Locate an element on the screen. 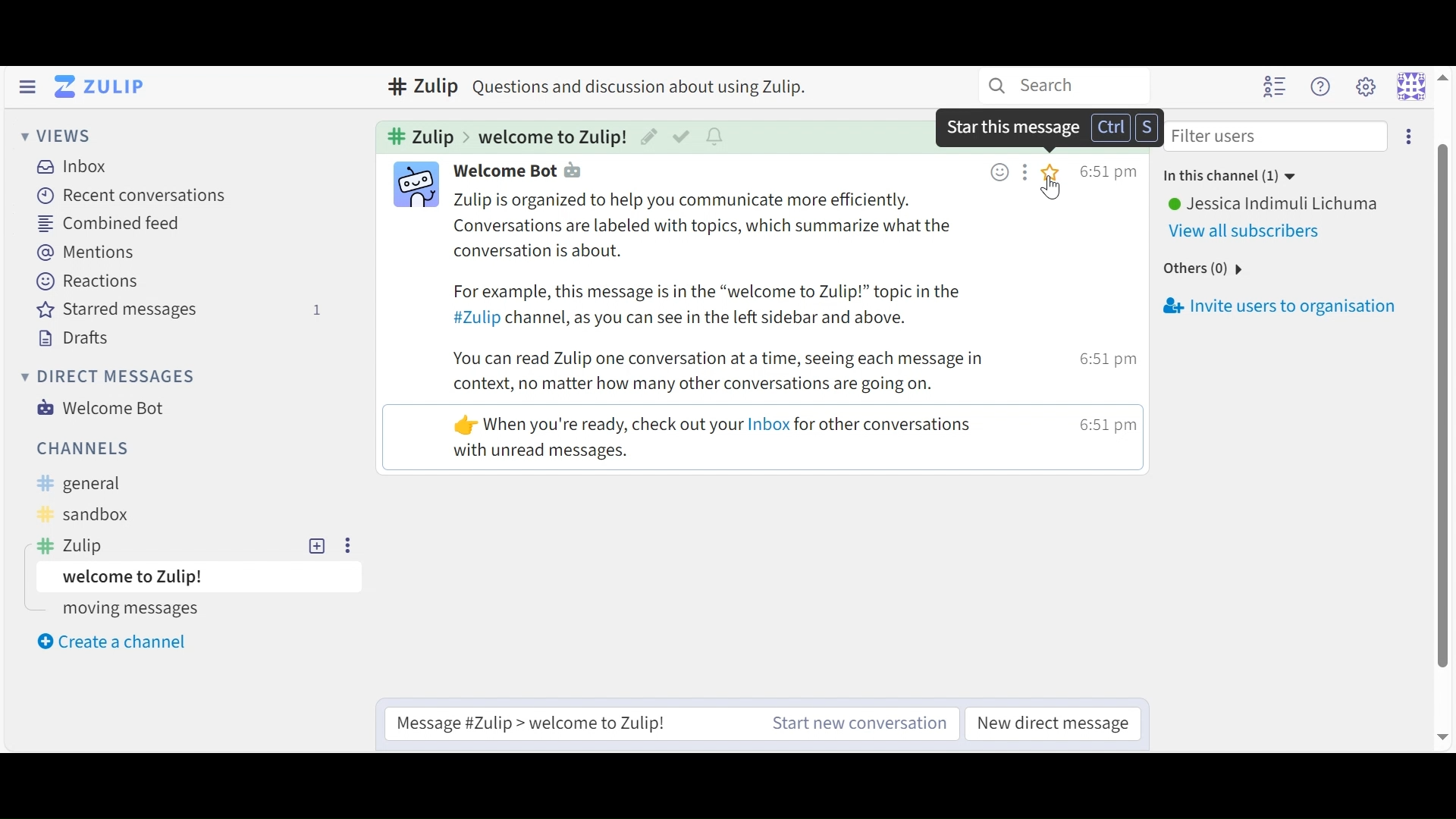 The width and height of the screenshot is (1456, 819). Invite users to conversation is located at coordinates (1408, 136).